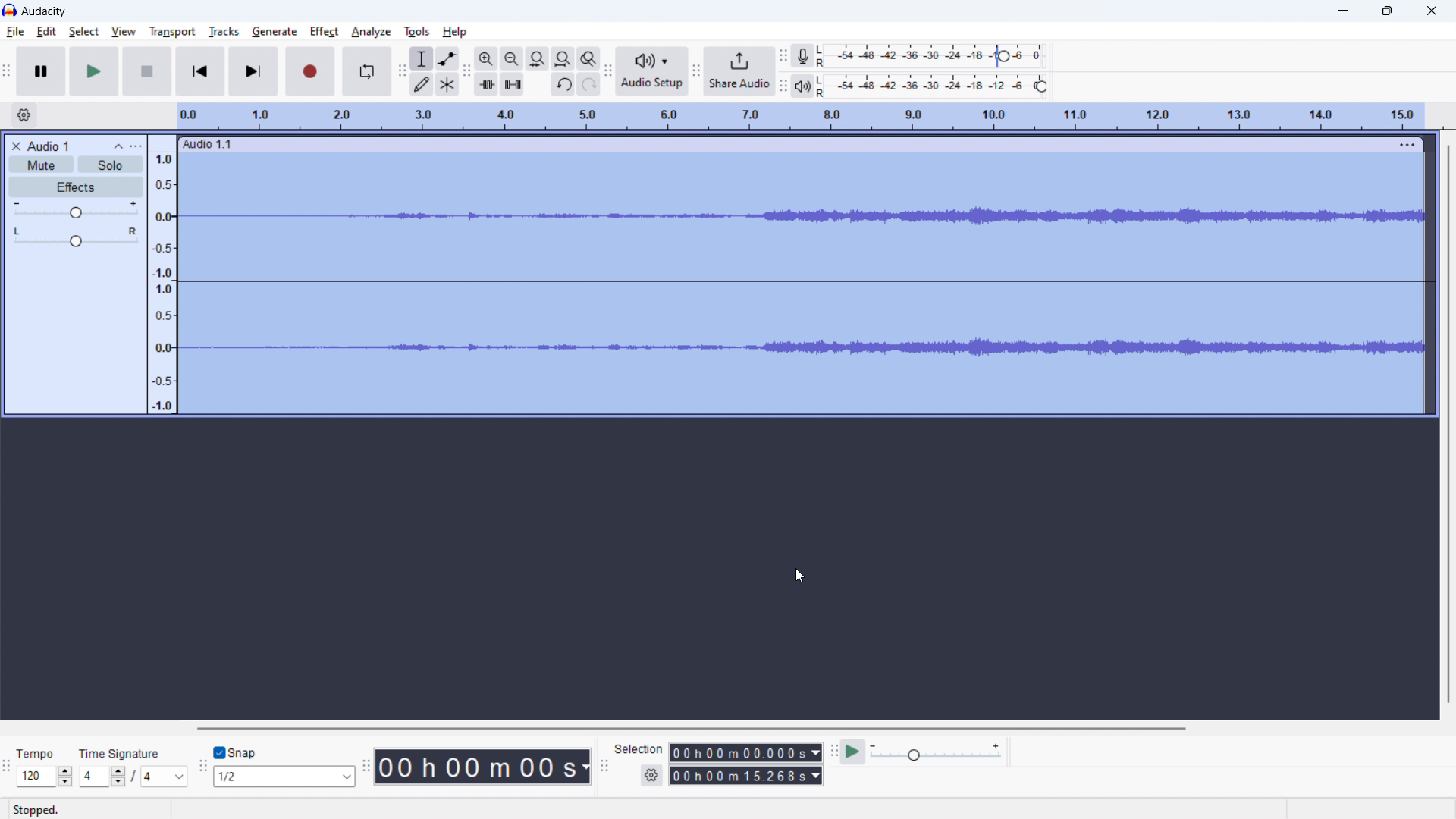  Describe the element at coordinates (783, 86) in the screenshot. I see `playback meter toolbar` at that location.